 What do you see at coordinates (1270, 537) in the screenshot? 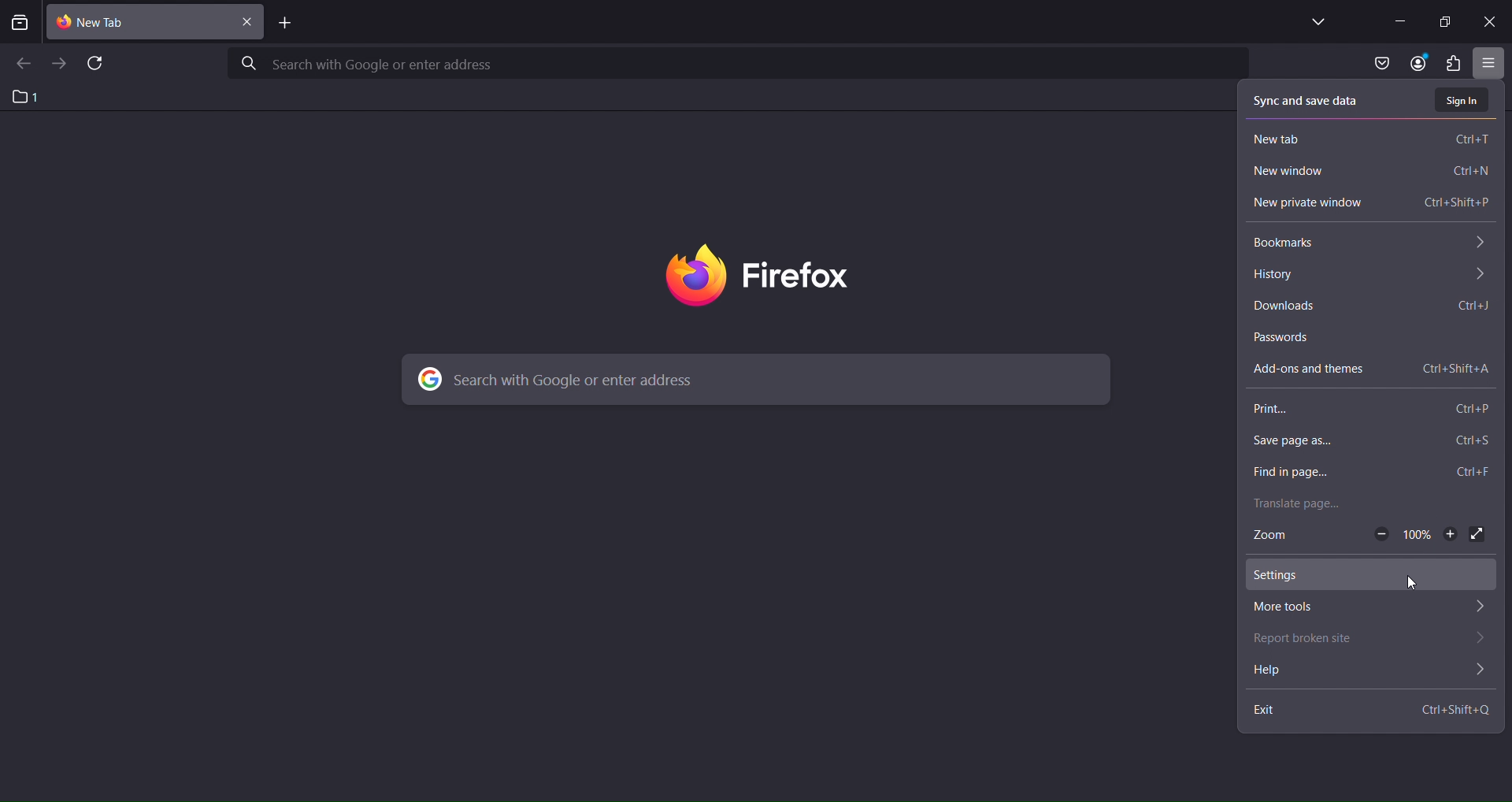
I see `zoom` at bounding box center [1270, 537].